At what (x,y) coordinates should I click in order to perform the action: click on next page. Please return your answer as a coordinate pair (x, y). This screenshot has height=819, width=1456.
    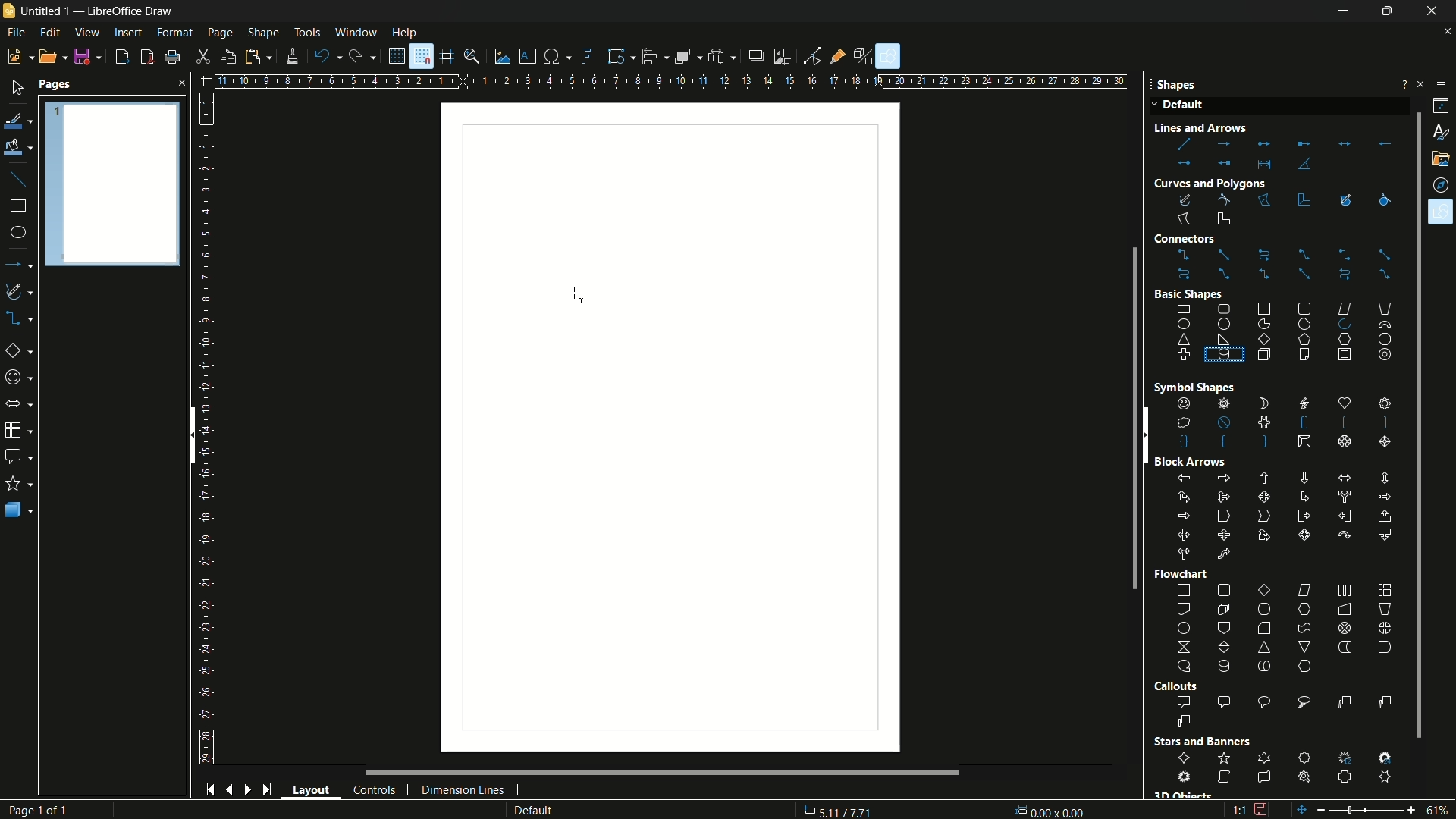
    Looking at the image, I should click on (248, 790).